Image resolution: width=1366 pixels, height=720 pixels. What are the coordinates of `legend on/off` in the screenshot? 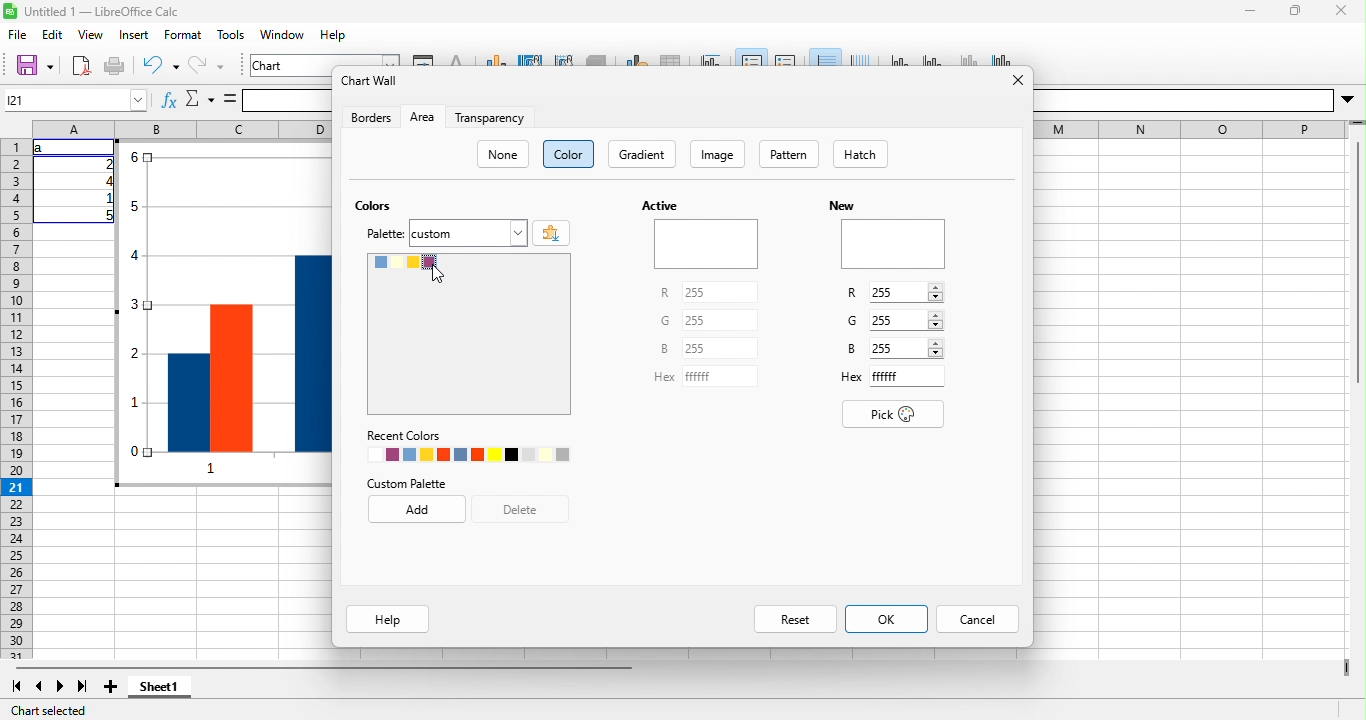 It's located at (752, 57).